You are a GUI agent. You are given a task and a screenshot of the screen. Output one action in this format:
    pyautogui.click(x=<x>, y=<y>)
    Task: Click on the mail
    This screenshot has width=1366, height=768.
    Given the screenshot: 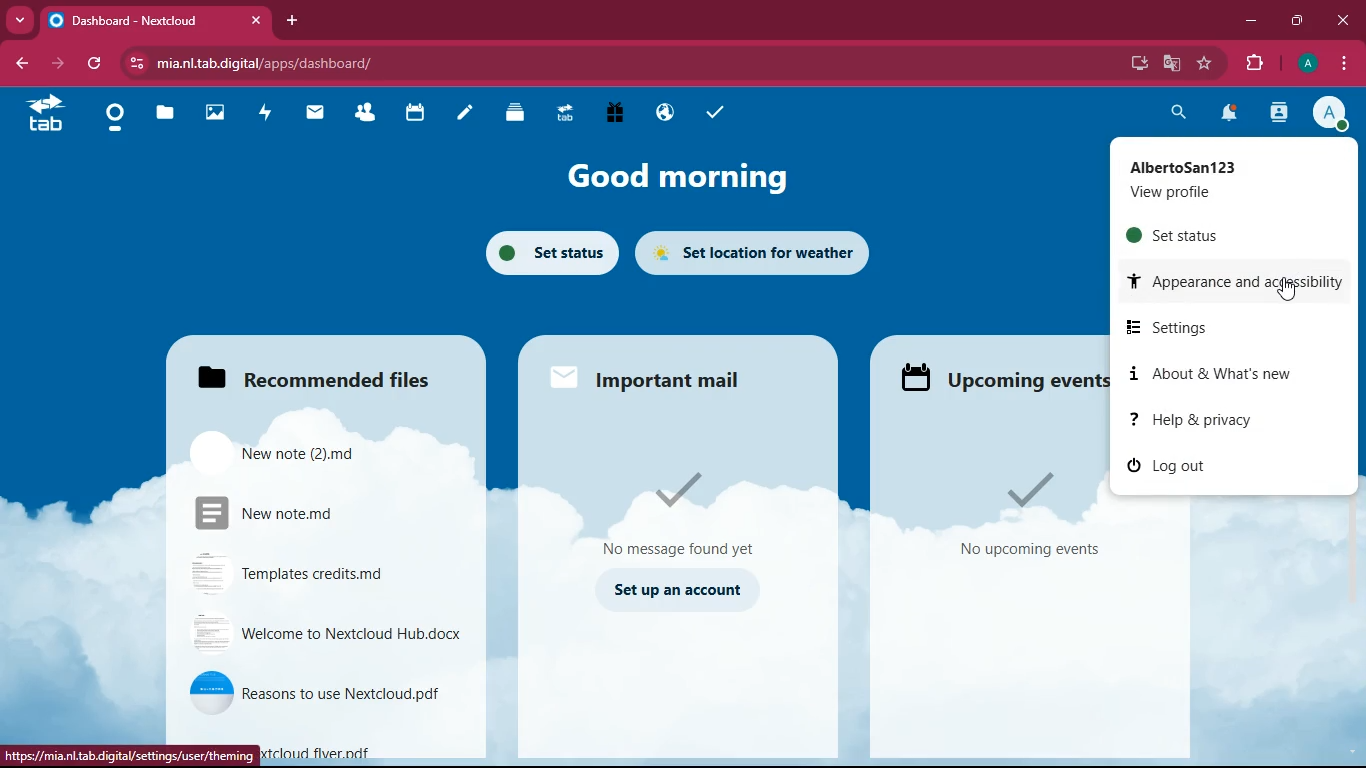 What is the action you would take?
    pyautogui.click(x=313, y=114)
    